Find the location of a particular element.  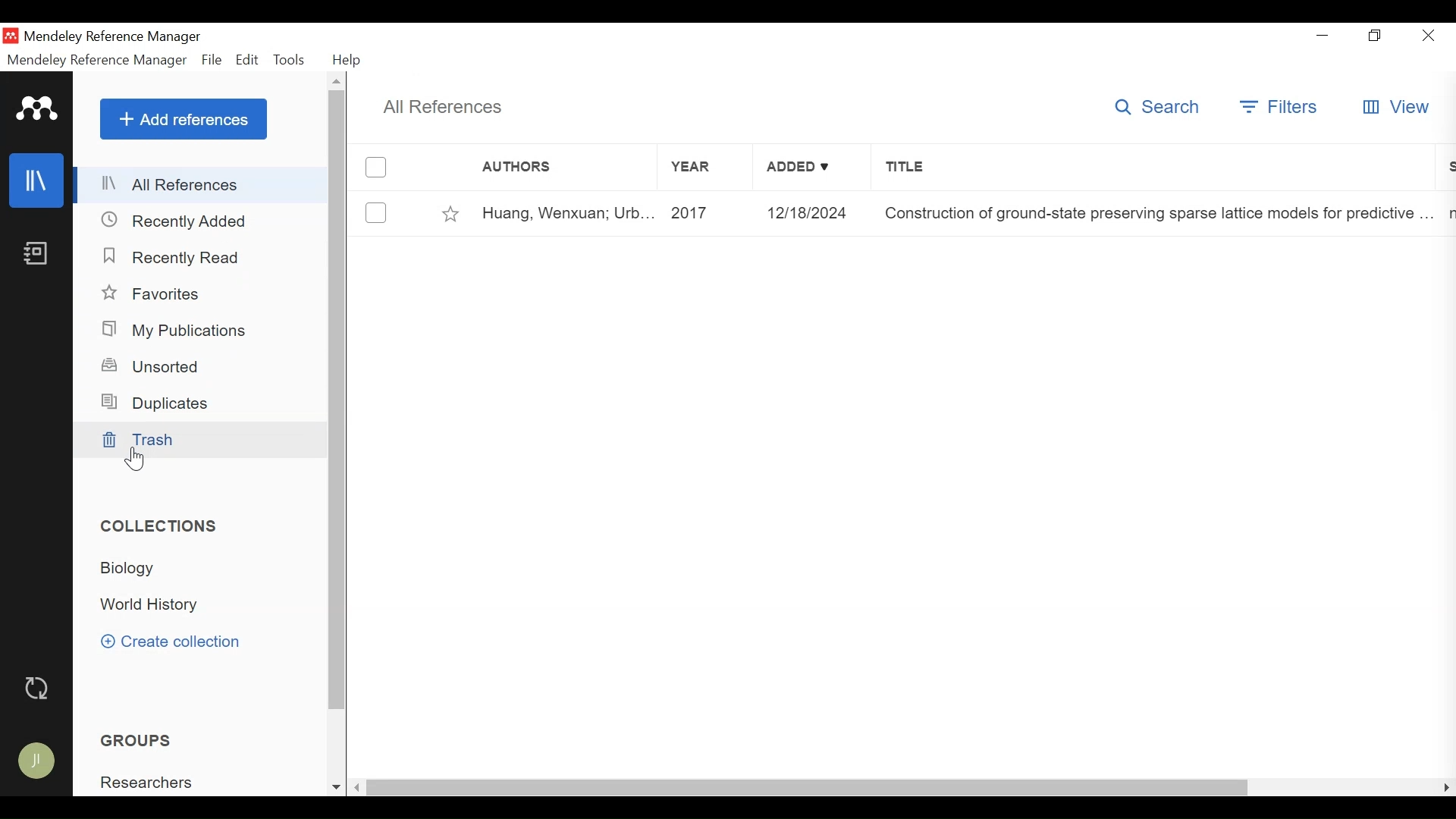

Horizontal Scroll bar is located at coordinates (808, 787).